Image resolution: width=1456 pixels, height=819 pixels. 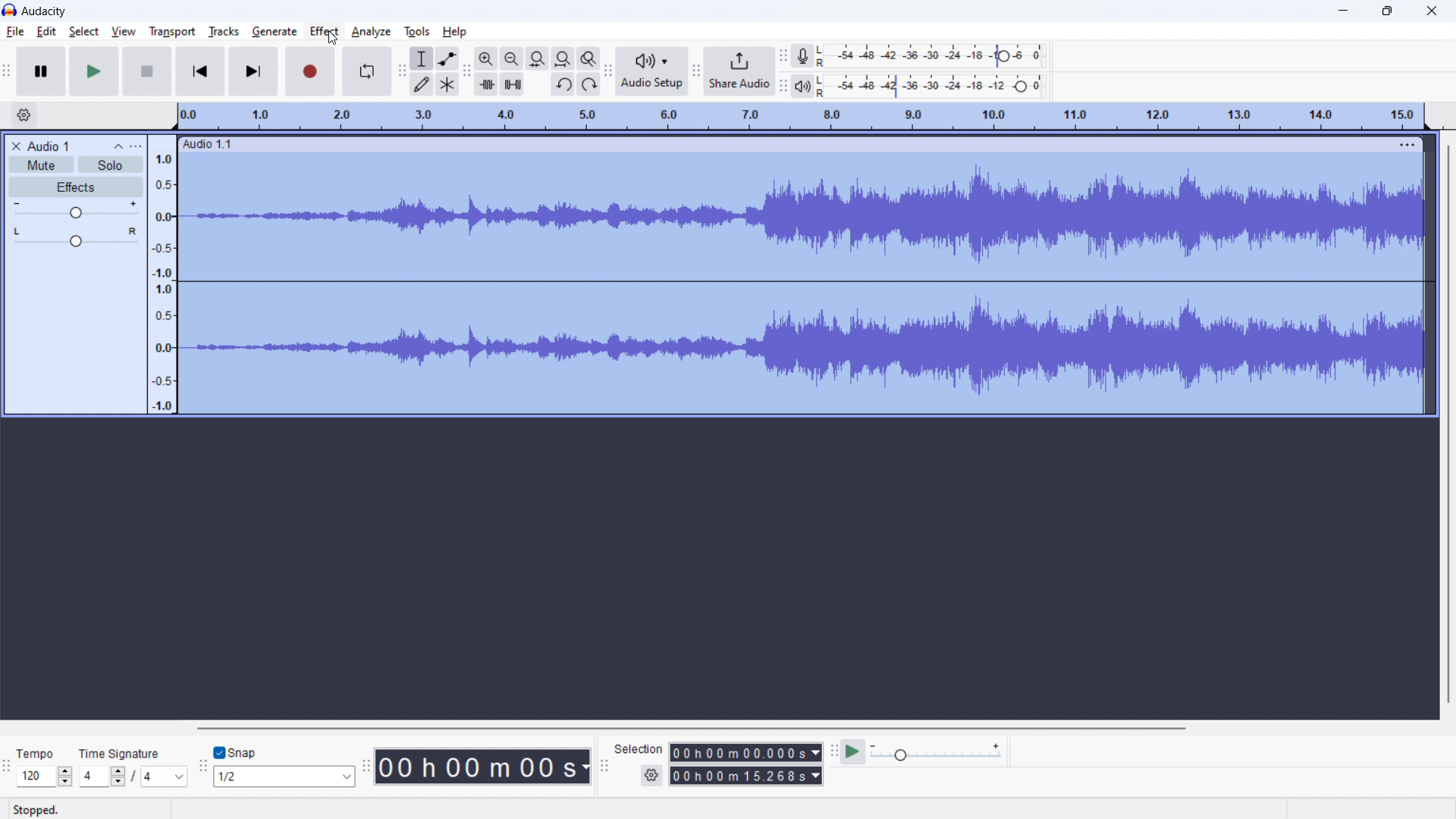 What do you see at coordinates (48, 146) in the screenshot?
I see `project title` at bounding box center [48, 146].